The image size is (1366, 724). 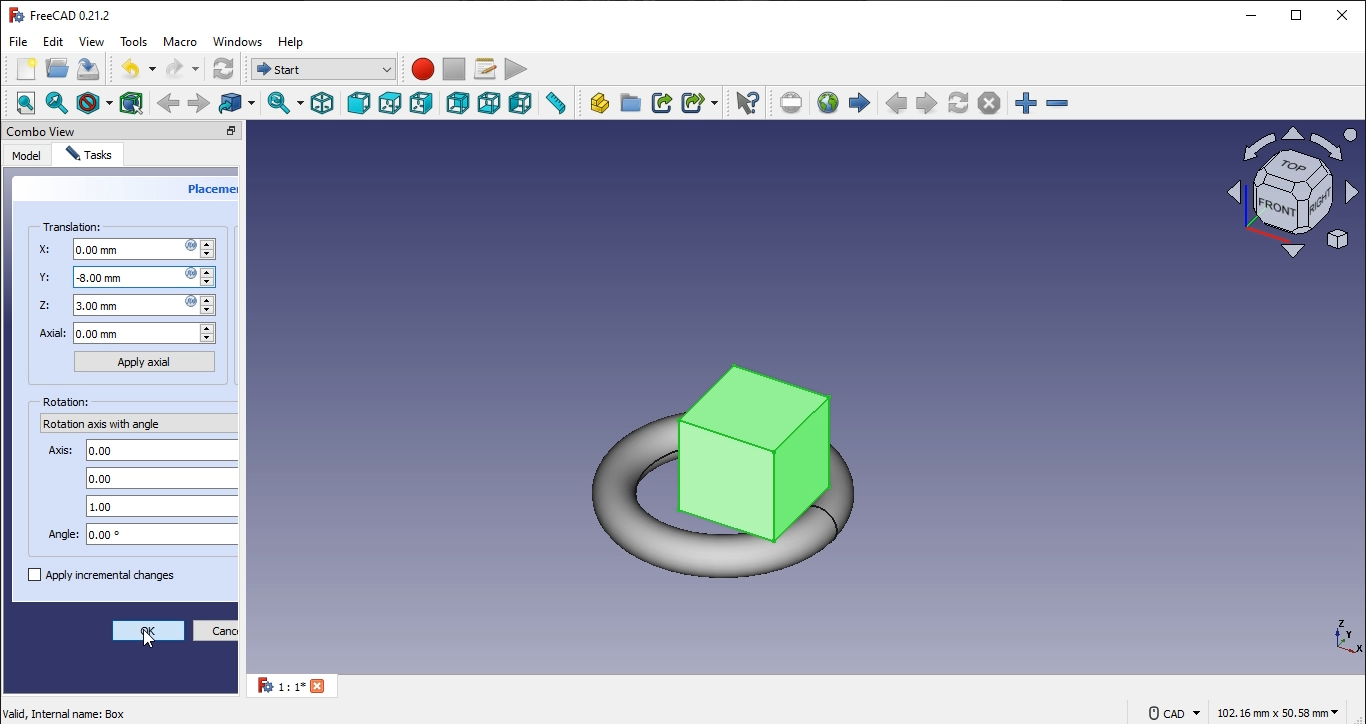 What do you see at coordinates (423, 70) in the screenshot?
I see `macro recording` at bounding box center [423, 70].